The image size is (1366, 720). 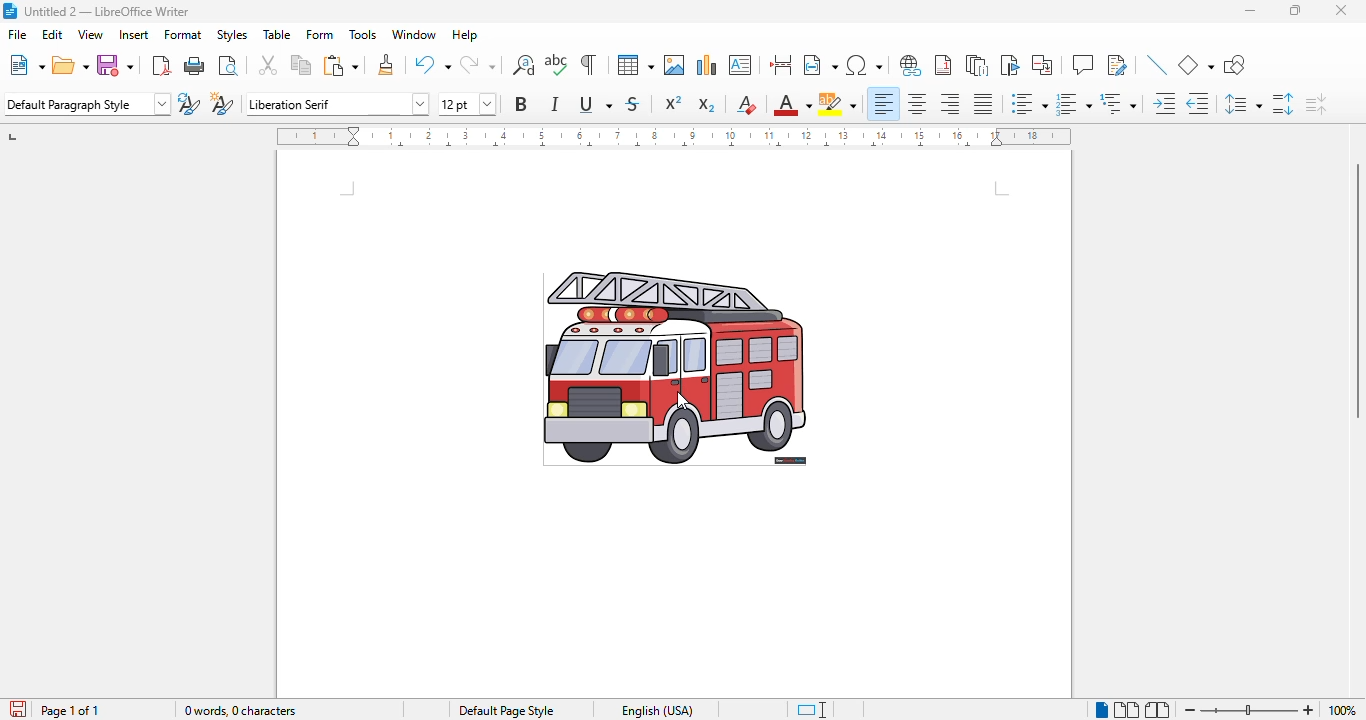 I want to click on italic, so click(x=557, y=103).